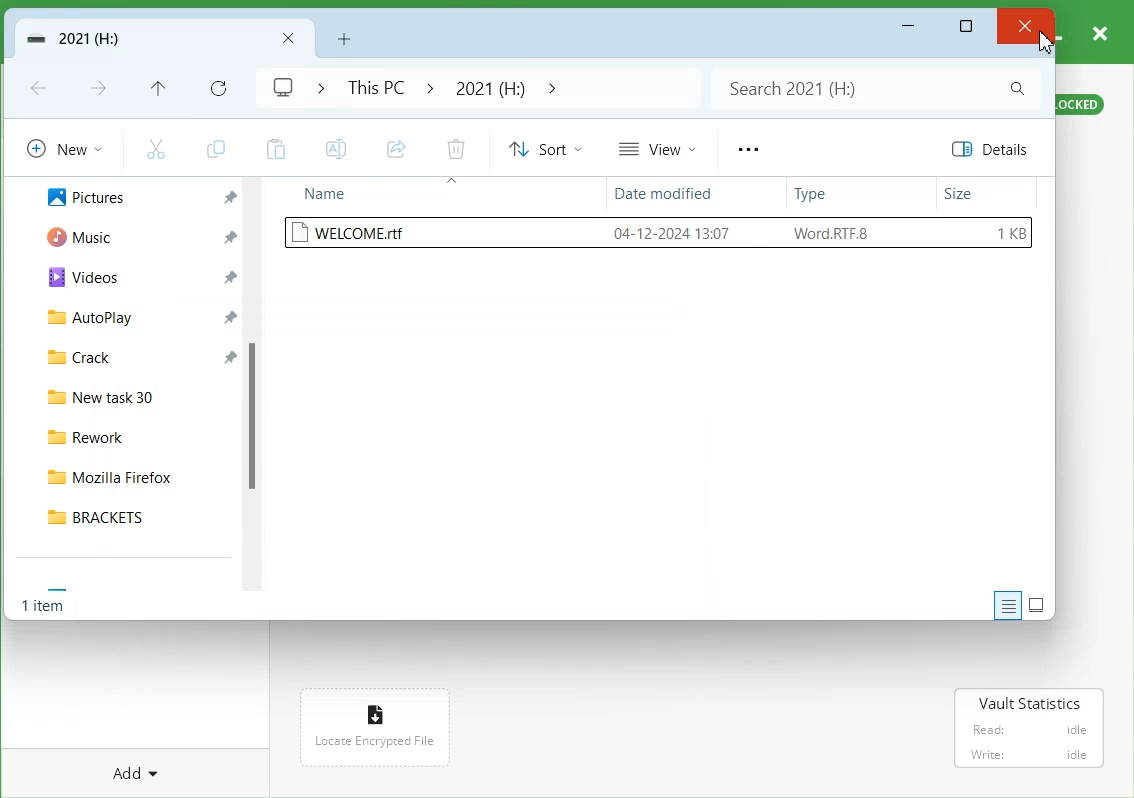  I want to click on Rework, so click(136, 437).